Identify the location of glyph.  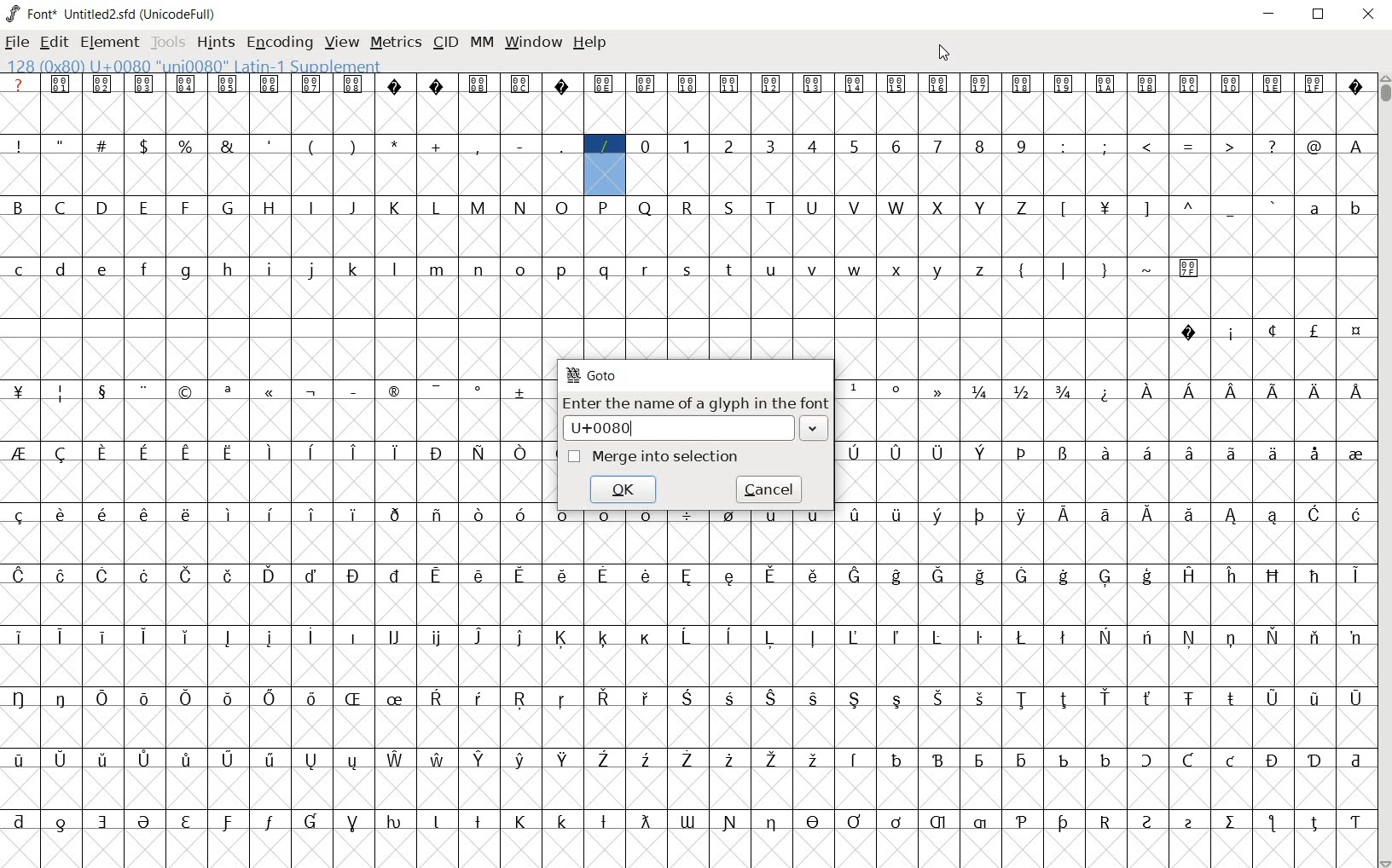
(228, 206).